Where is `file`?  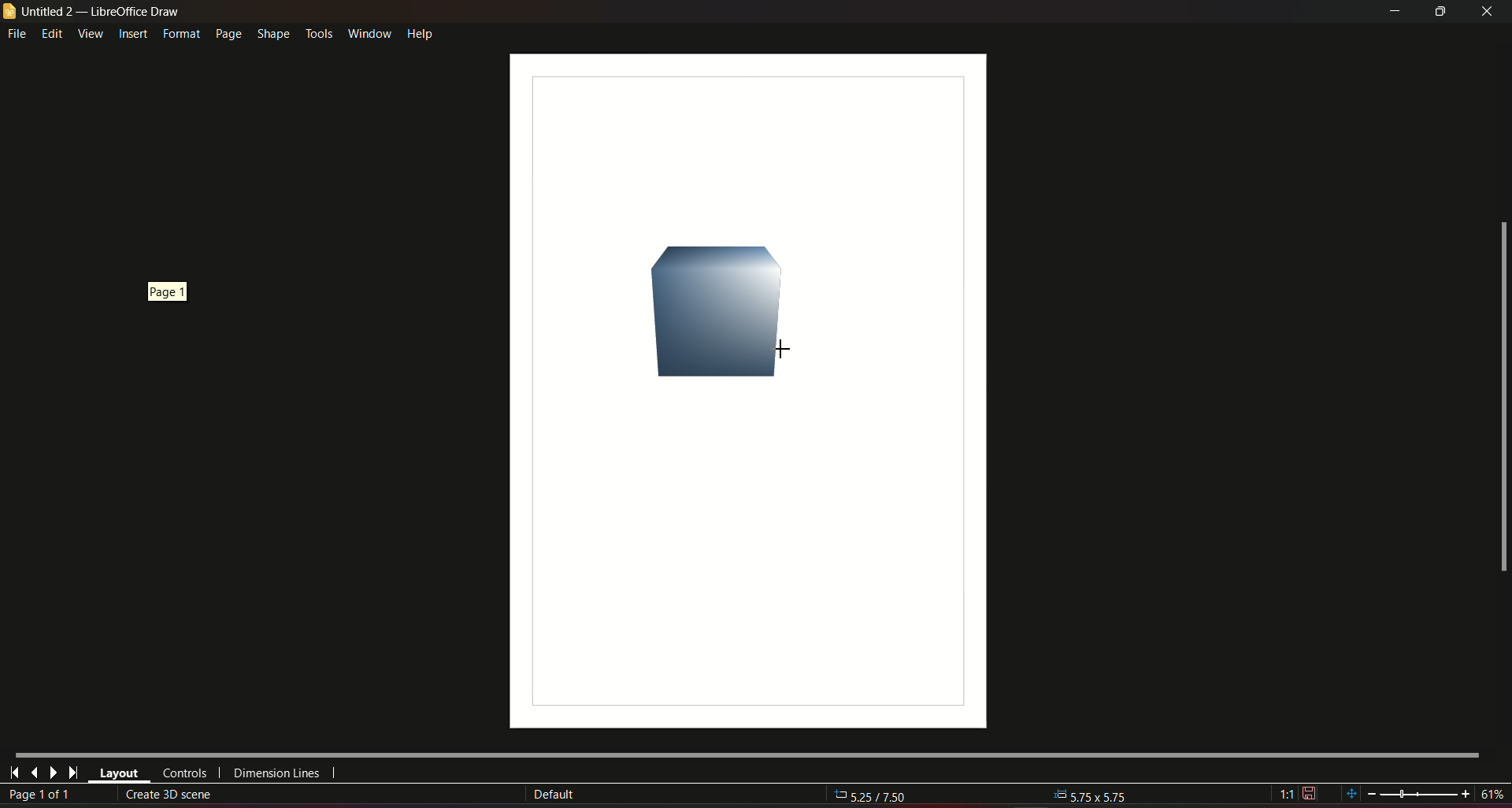 file is located at coordinates (18, 35).